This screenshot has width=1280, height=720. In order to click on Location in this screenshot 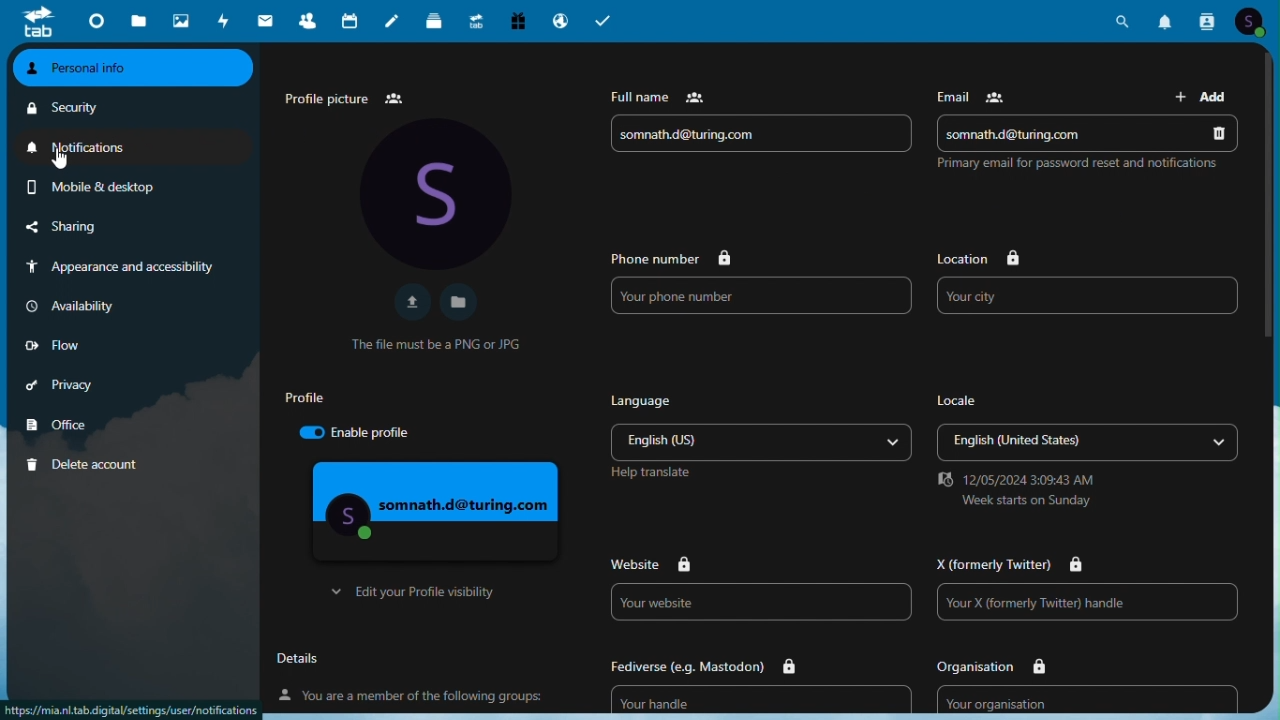, I will do `click(1089, 261)`.